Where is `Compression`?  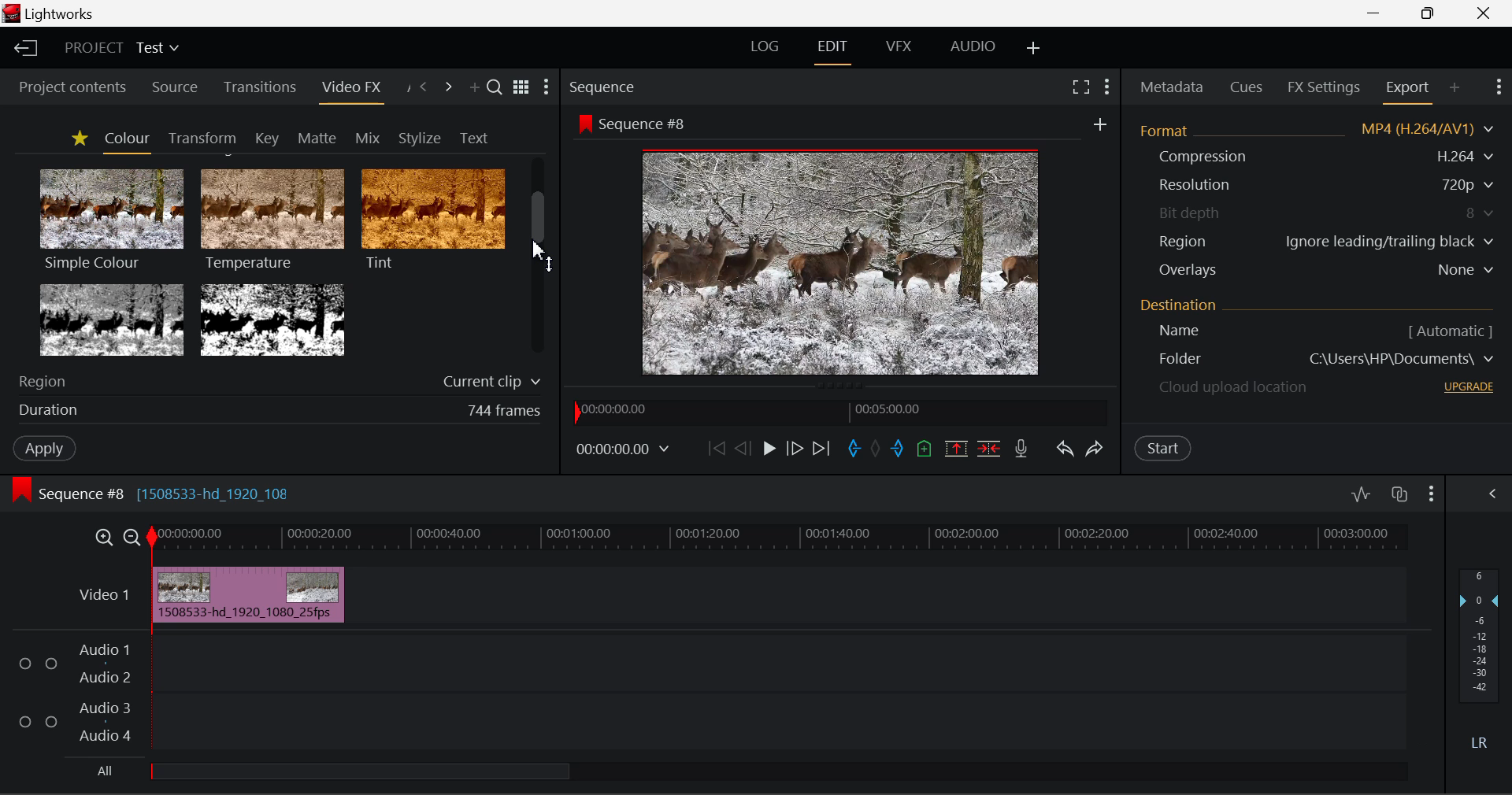 Compression is located at coordinates (1200, 157).